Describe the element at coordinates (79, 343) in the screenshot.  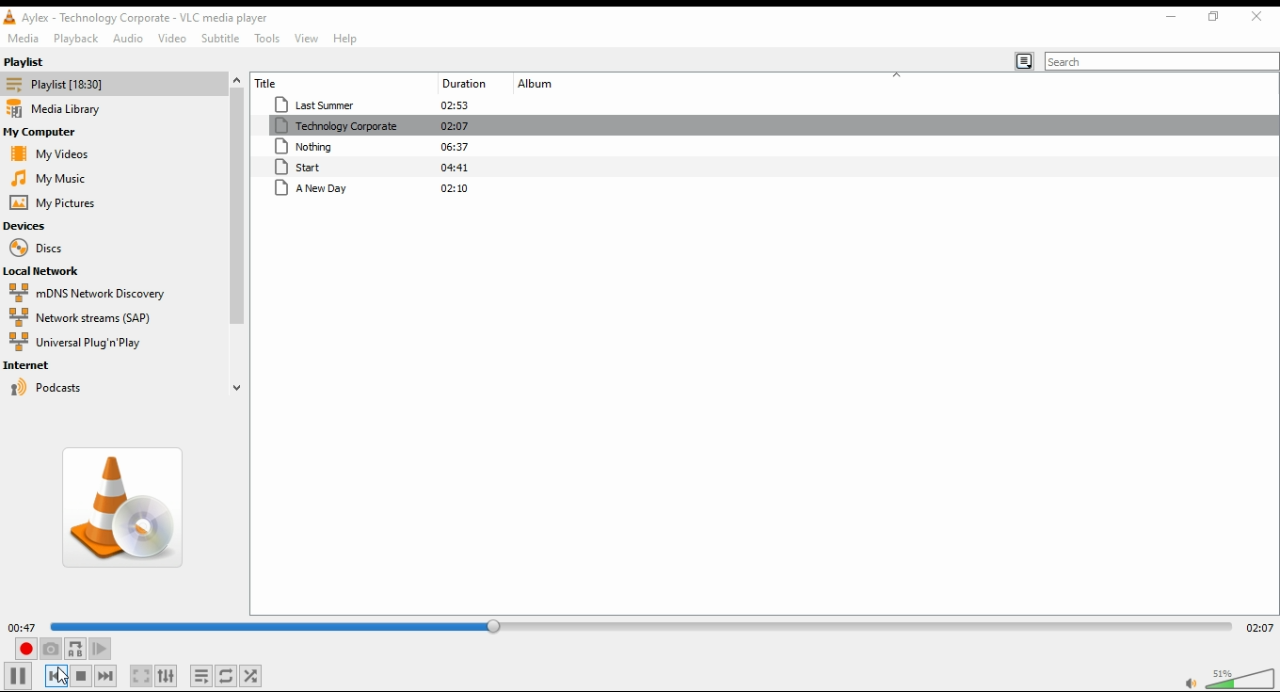
I see `universal plug 'n play` at that location.